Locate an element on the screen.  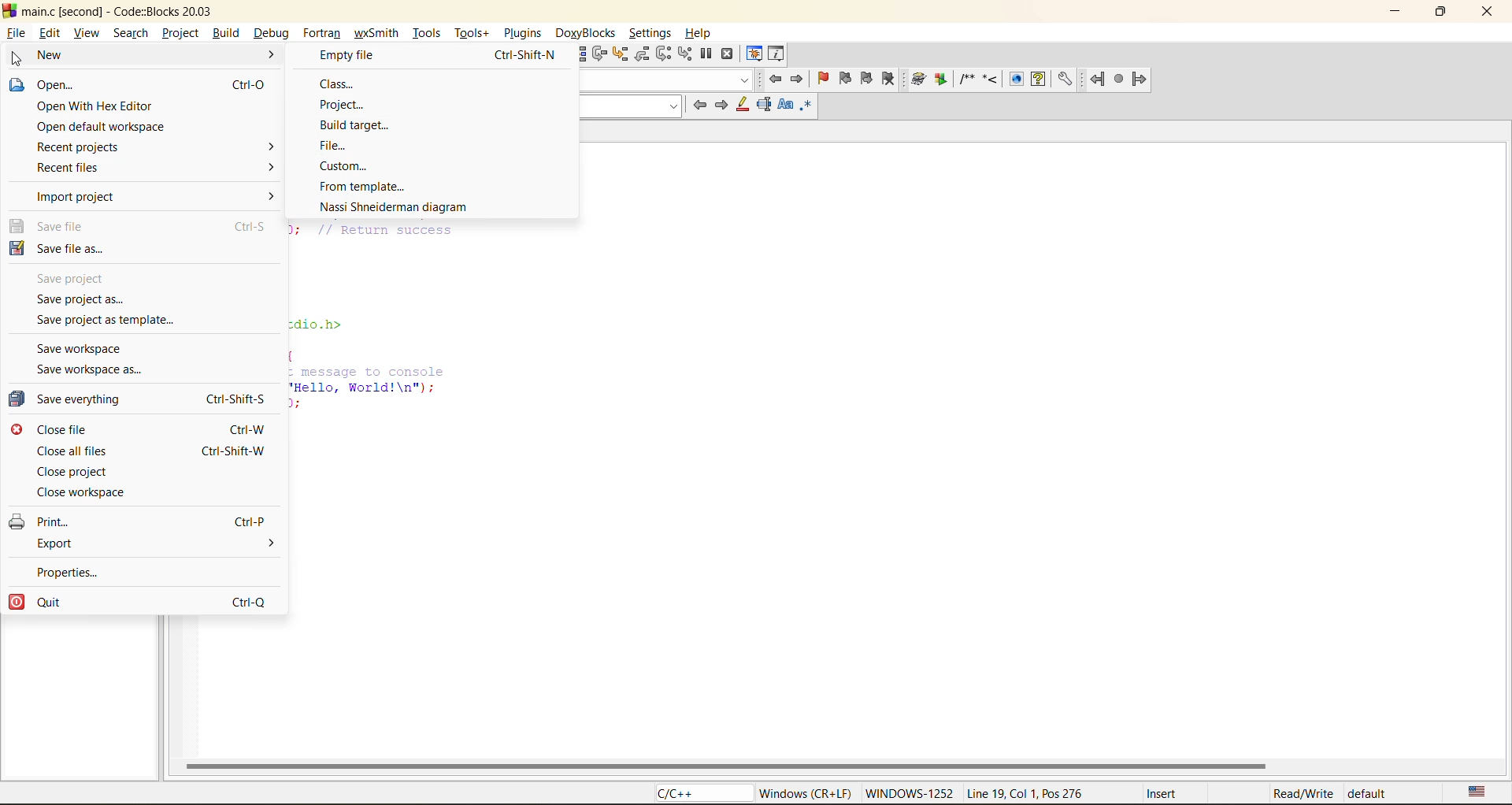
next bookmark is located at coordinates (868, 78).